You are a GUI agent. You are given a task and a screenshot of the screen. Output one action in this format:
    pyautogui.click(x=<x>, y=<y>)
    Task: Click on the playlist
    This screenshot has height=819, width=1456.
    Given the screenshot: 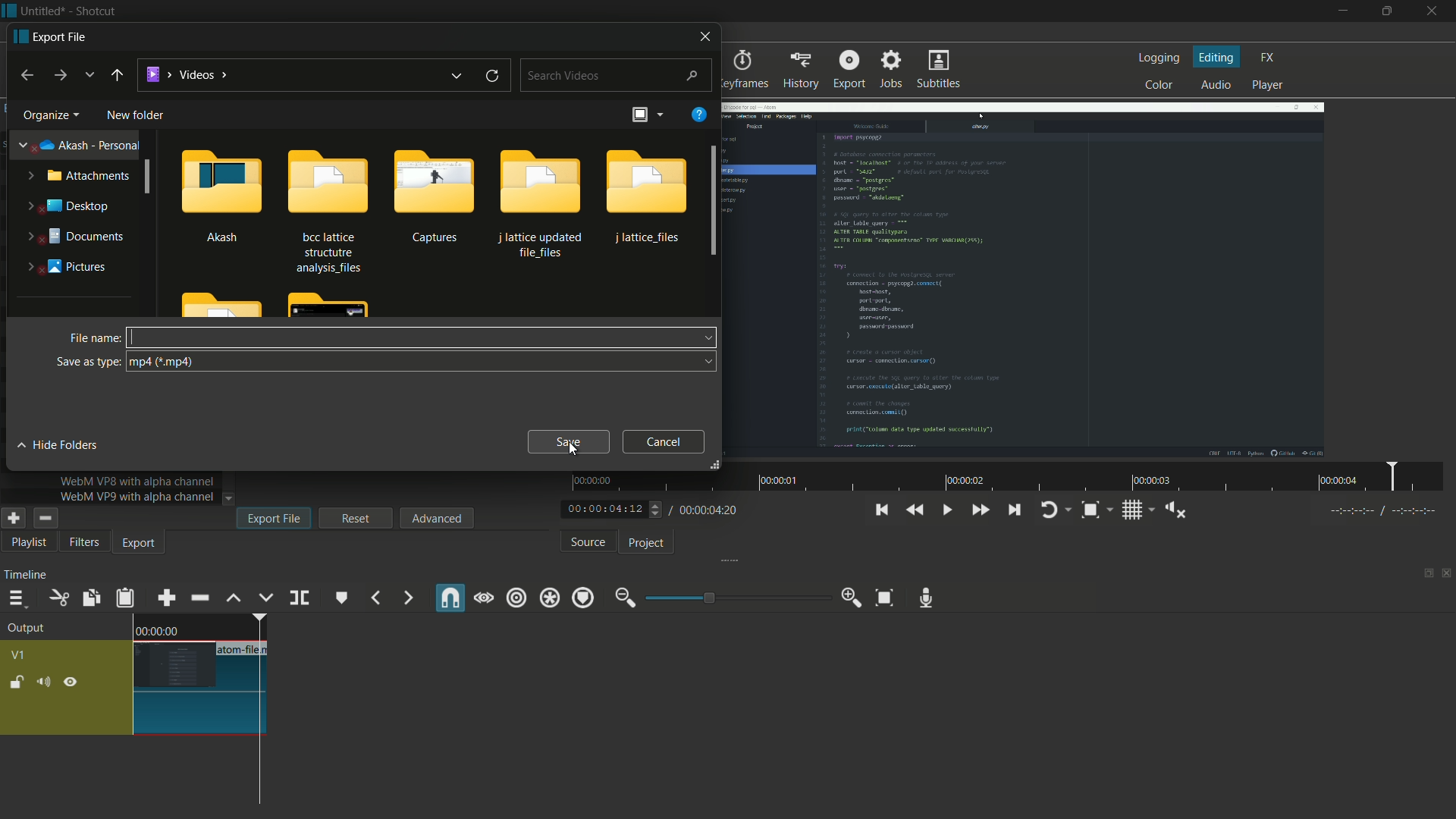 What is the action you would take?
    pyautogui.click(x=26, y=544)
    